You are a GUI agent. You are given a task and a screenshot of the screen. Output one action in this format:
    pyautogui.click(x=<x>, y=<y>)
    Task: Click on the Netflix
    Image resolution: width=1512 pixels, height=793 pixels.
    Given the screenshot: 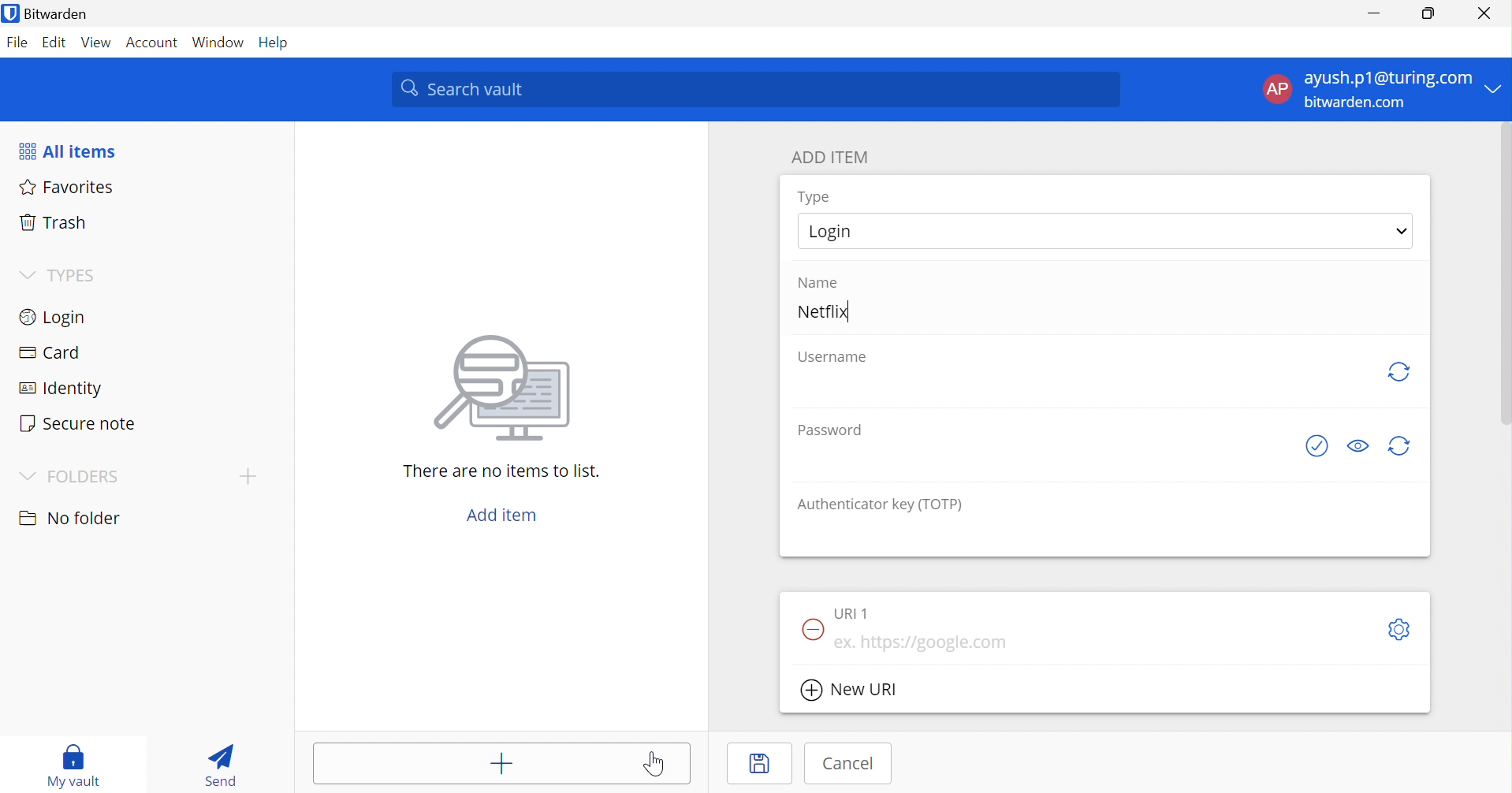 What is the action you would take?
    pyautogui.click(x=822, y=311)
    